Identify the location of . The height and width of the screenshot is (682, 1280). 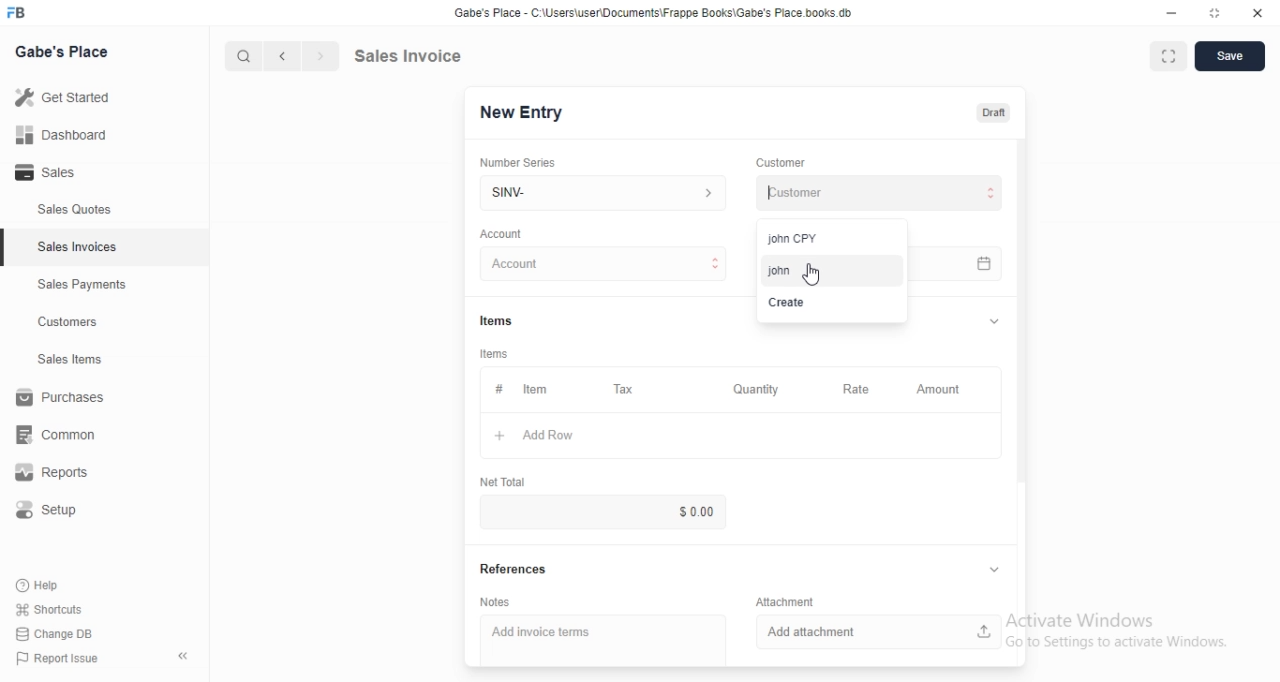
(788, 600).